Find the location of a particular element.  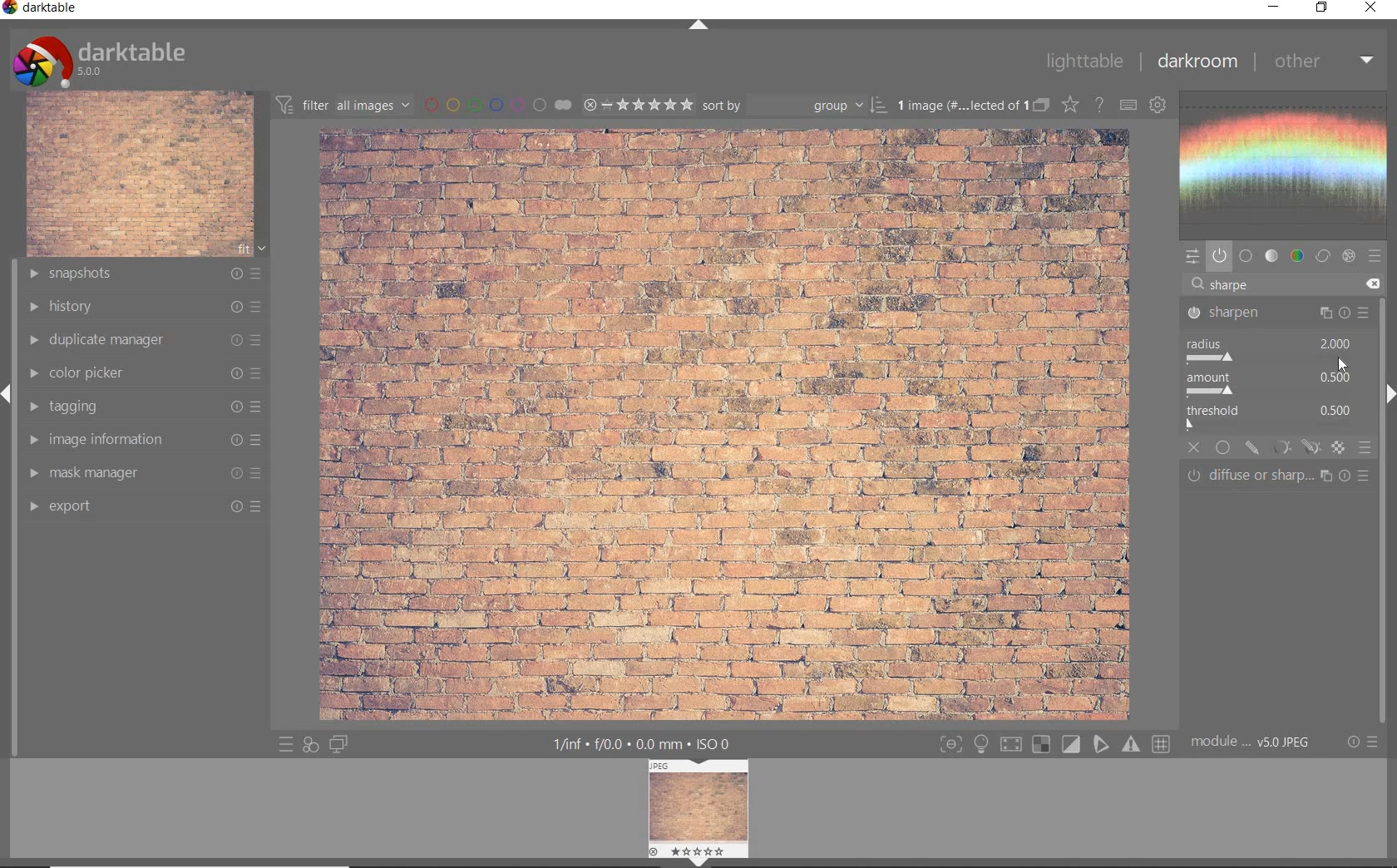

toggle modes is located at coordinates (1054, 742).